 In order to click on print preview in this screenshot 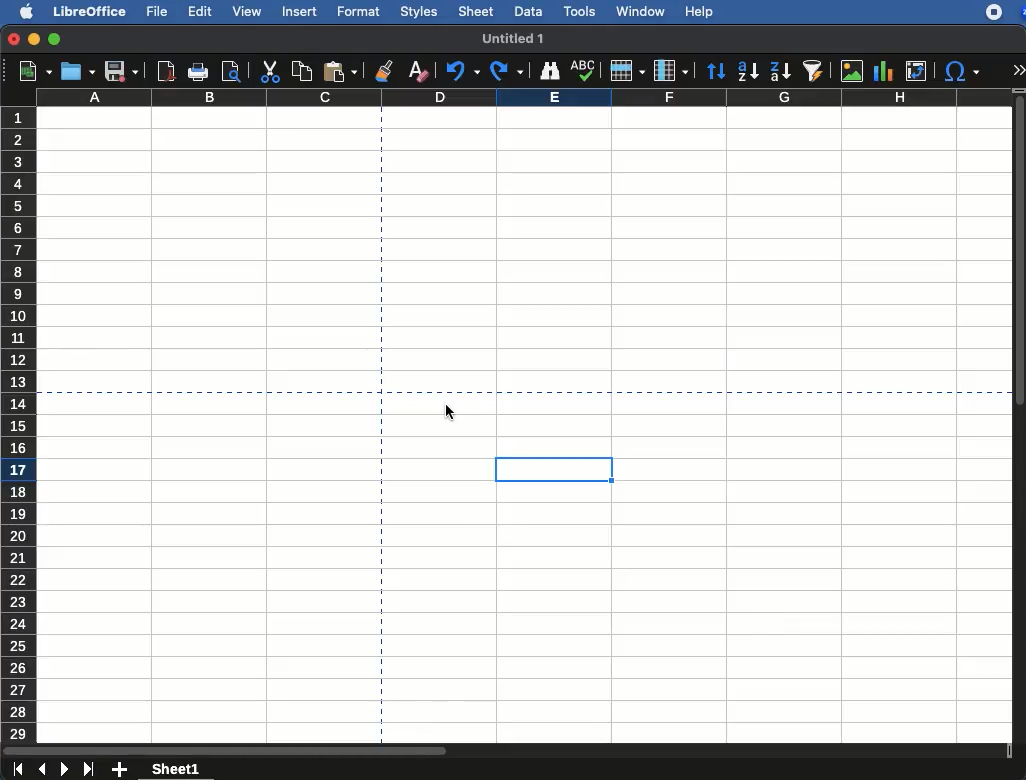, I will do `click(230, 71)`.